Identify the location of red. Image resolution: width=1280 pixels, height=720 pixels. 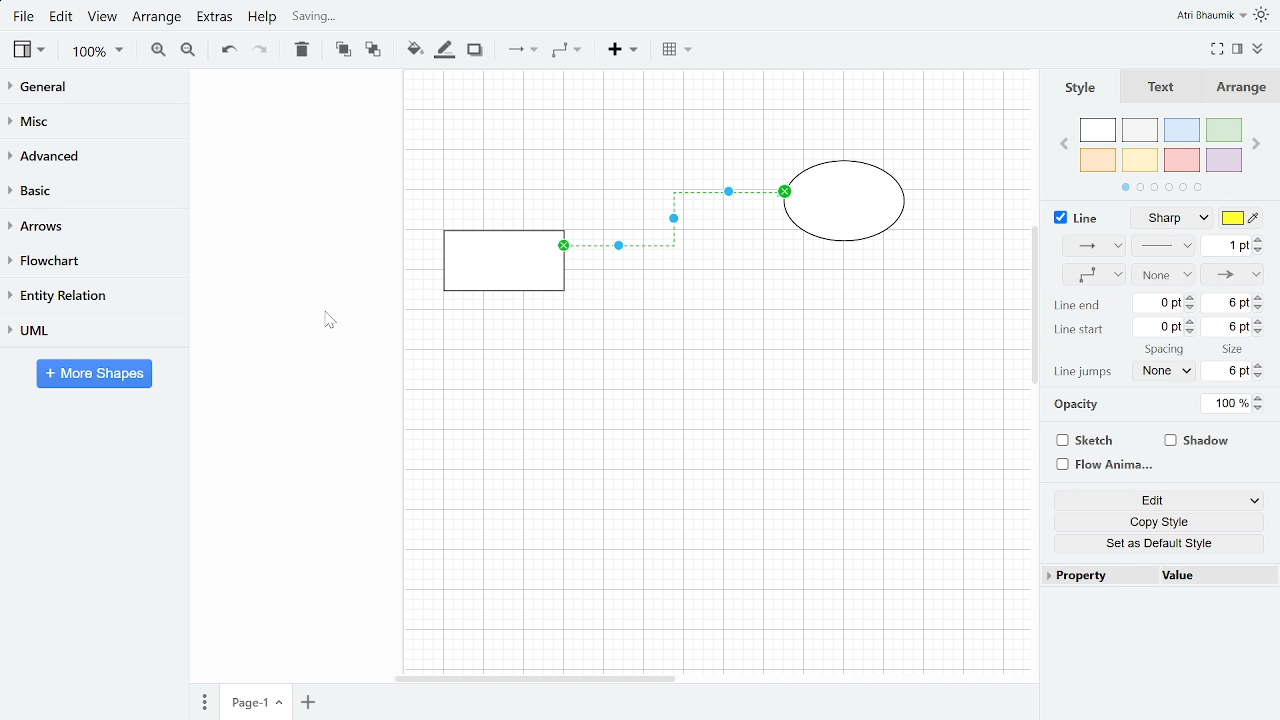
(1182, 160).